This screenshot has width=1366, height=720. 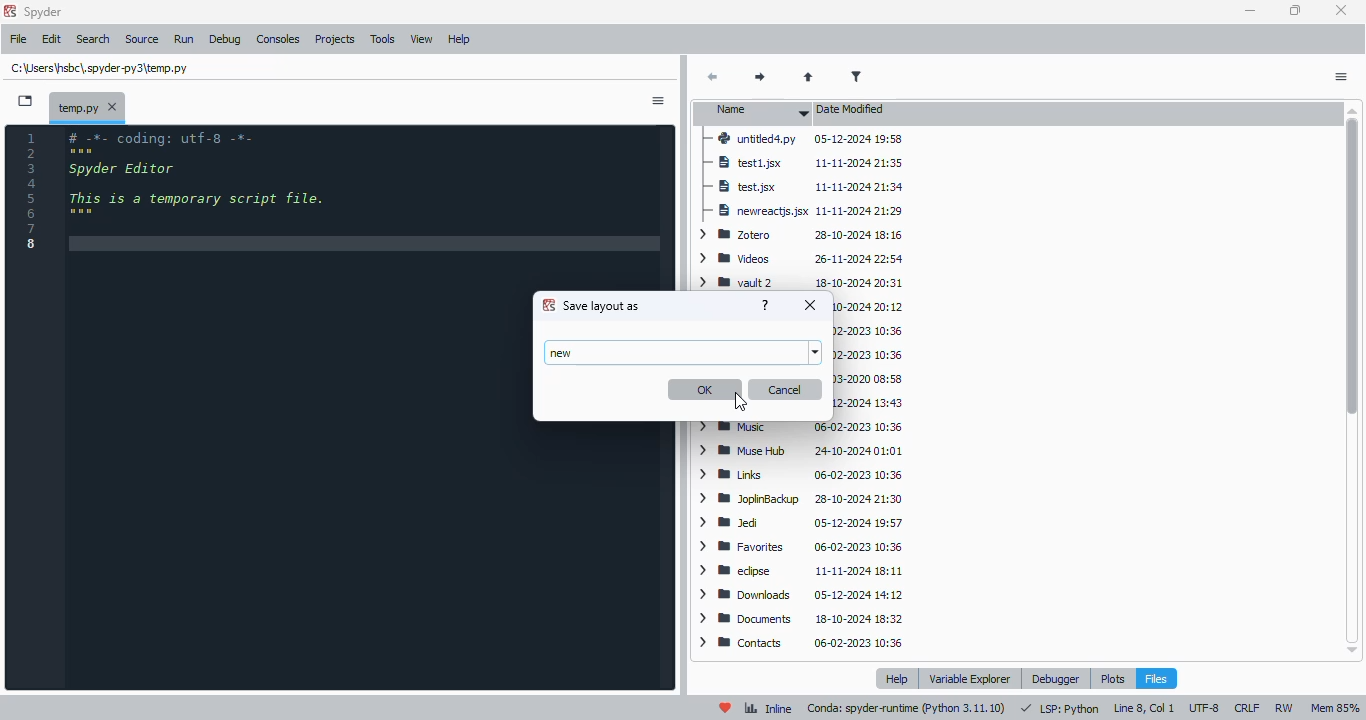 What do you see at coordinates (185, 40) in the screenshot?
I see `run` at bounding box center [185, 40].